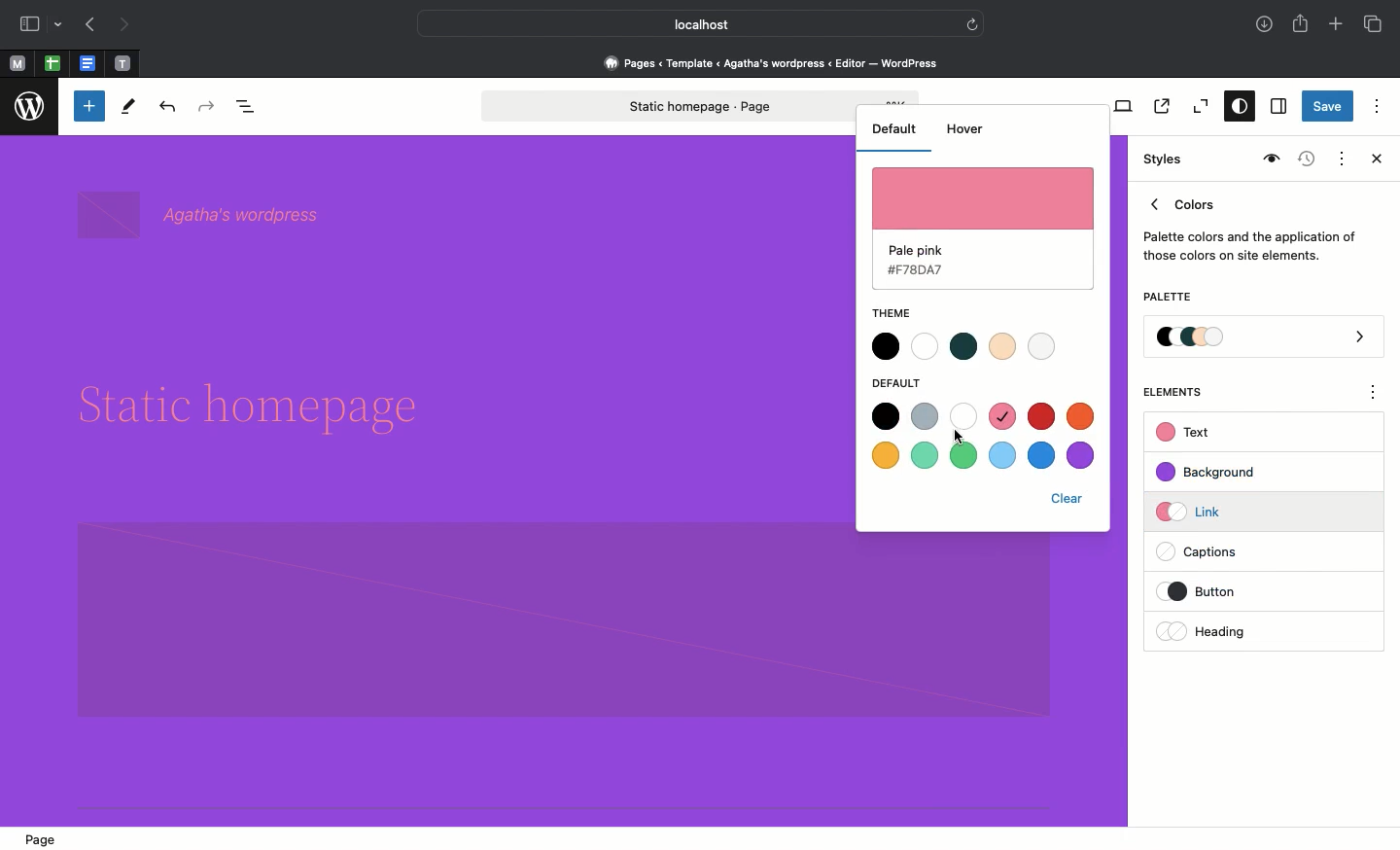 Image resolution: width=1400 pixels, height=850 pixels. What do you see at coordinates (202, 216) in the screenshot?
I see `Wordpress name` at bounding box center [202, 216].